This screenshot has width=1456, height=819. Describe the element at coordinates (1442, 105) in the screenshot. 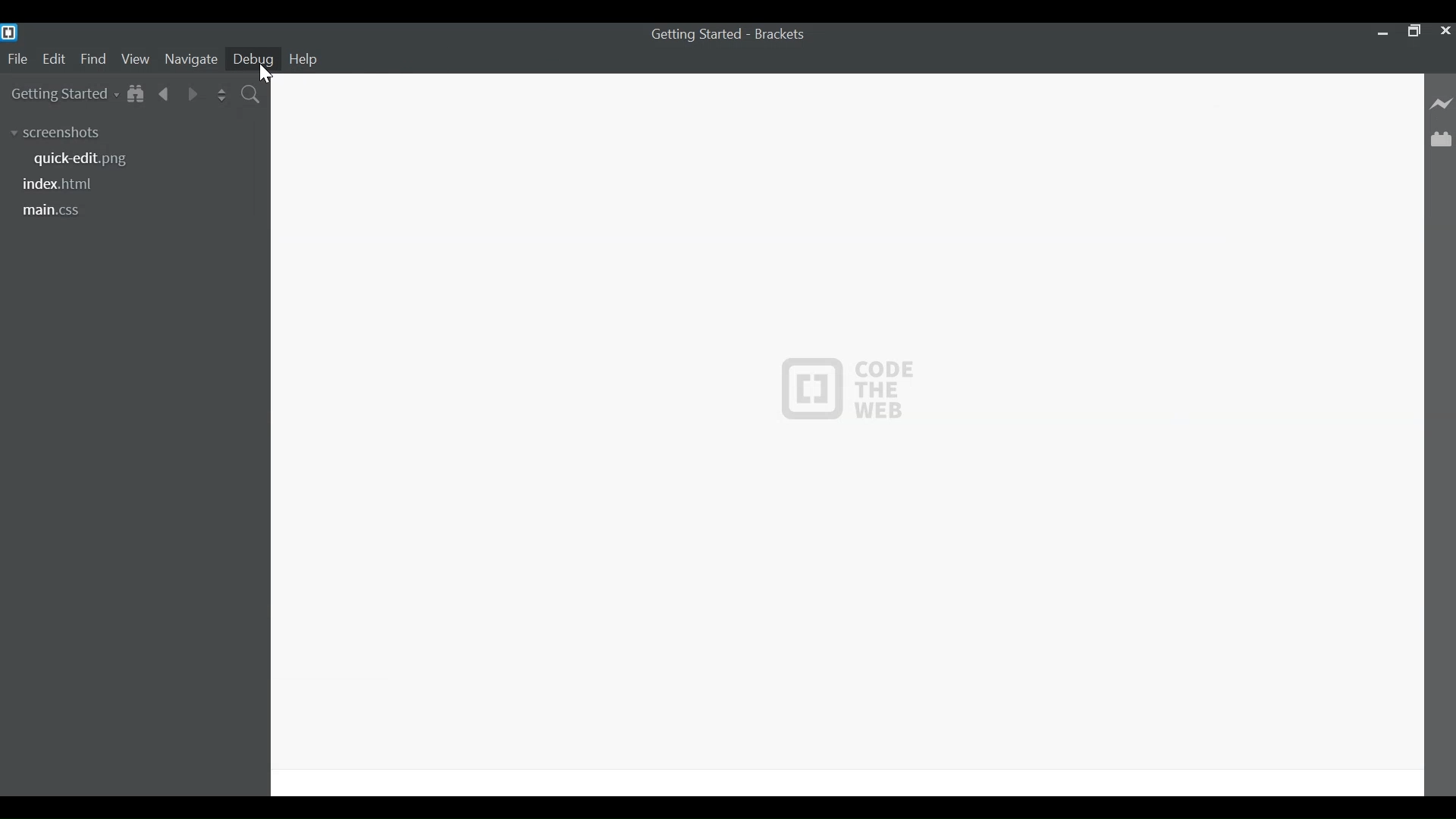

I see `Live Preview` at that location.